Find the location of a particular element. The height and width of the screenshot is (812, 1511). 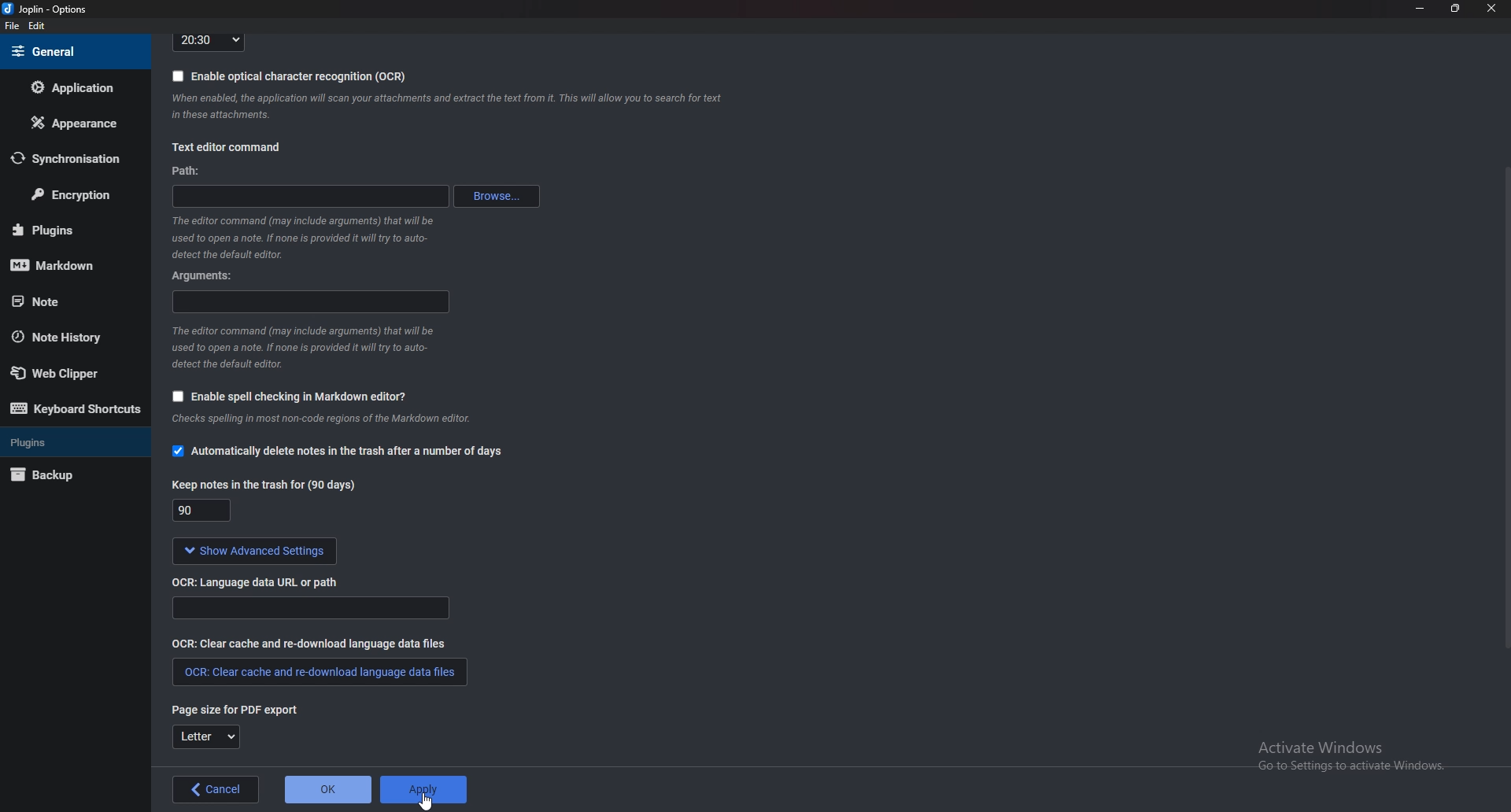

Cursor is located at coordinates (428, 801).